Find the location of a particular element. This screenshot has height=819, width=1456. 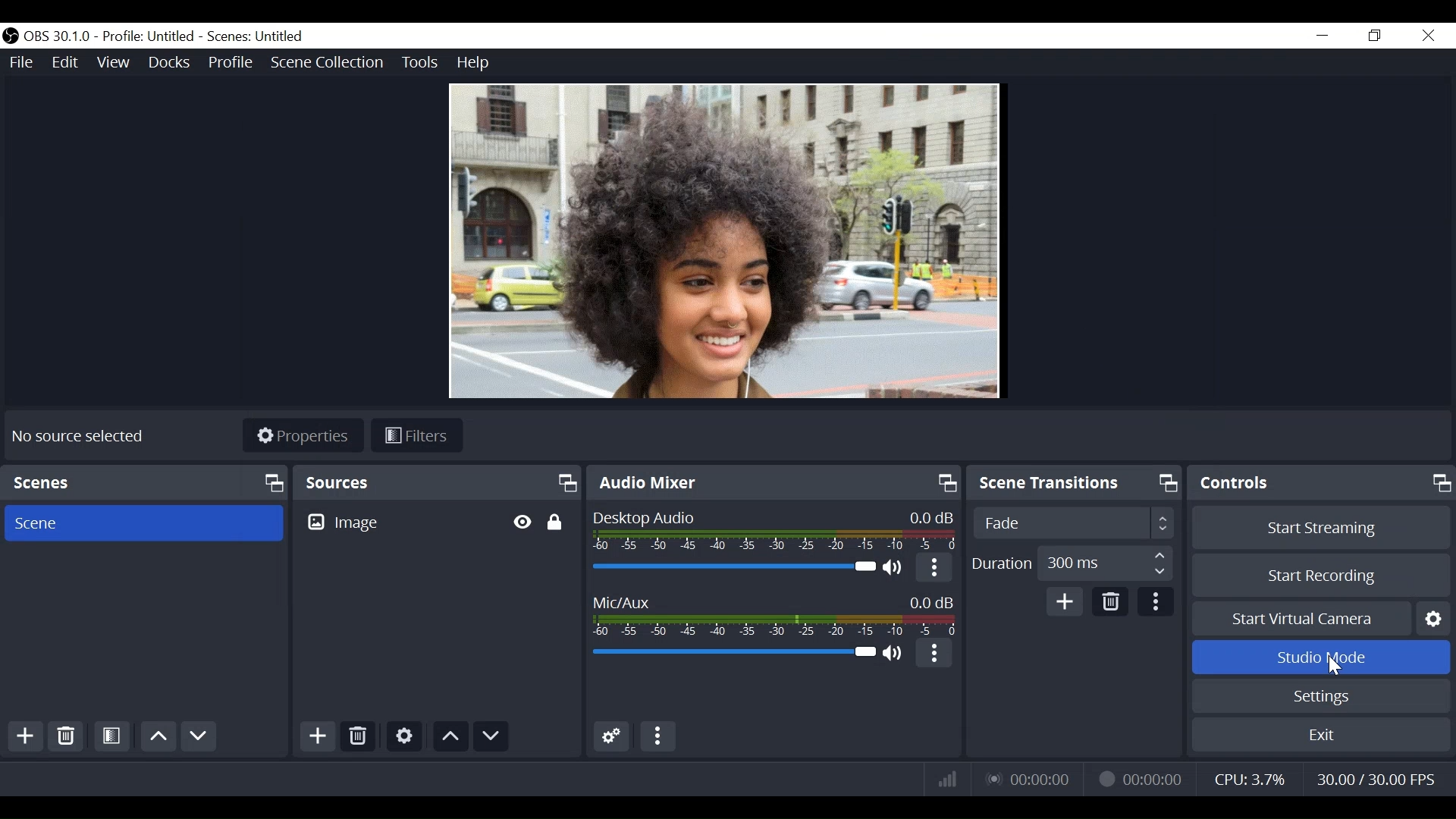

(un)mute is located at coordinates (894, 655).